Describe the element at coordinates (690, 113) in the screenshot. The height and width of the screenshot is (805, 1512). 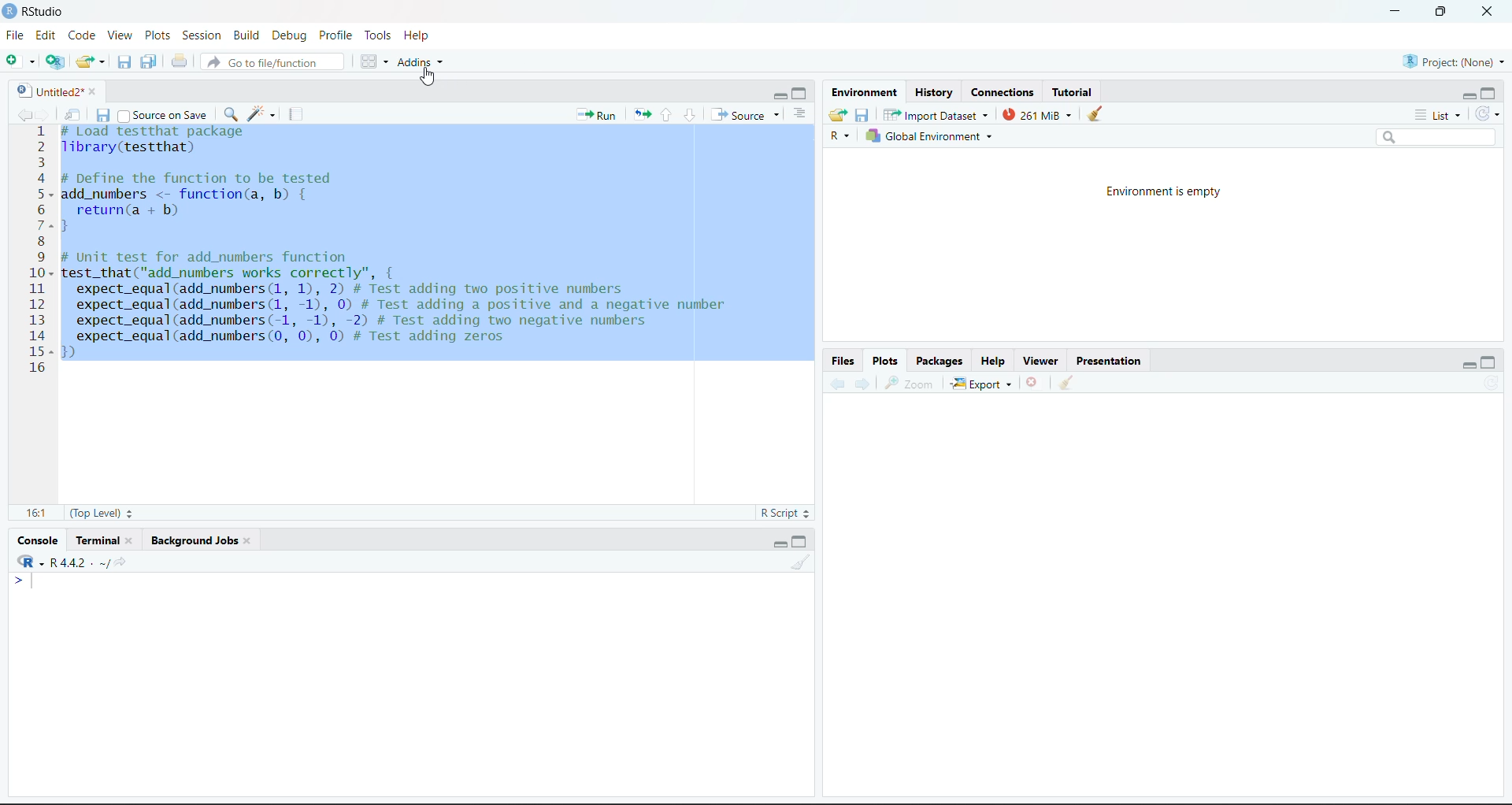
I see `go to next section` at that location.